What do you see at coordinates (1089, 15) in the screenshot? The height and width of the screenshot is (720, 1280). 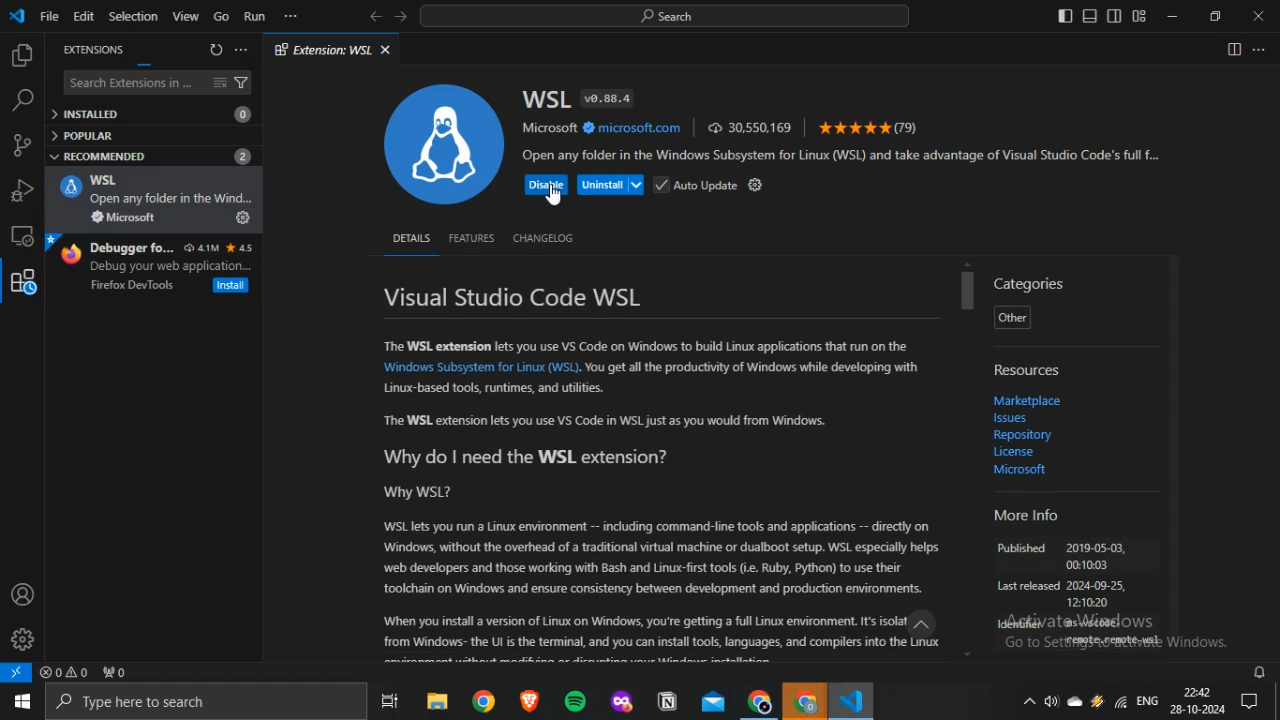 I see `toggle panel` at bounding box center [1089, 15].